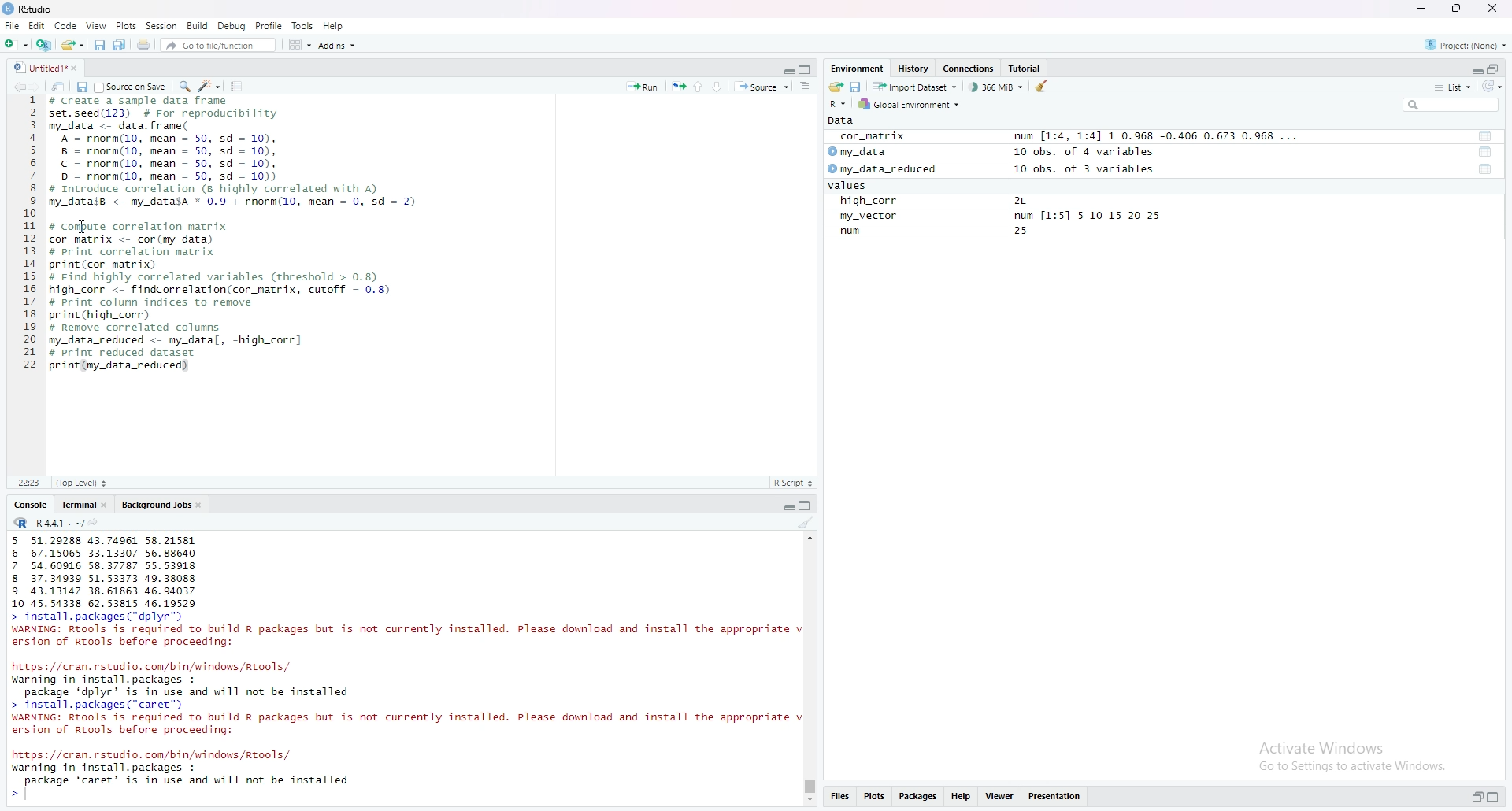 This screenshot has height=811, width=1512. Describe the element at coordinates (37, 25) in the screenshot. I see `Edit ` at that location.